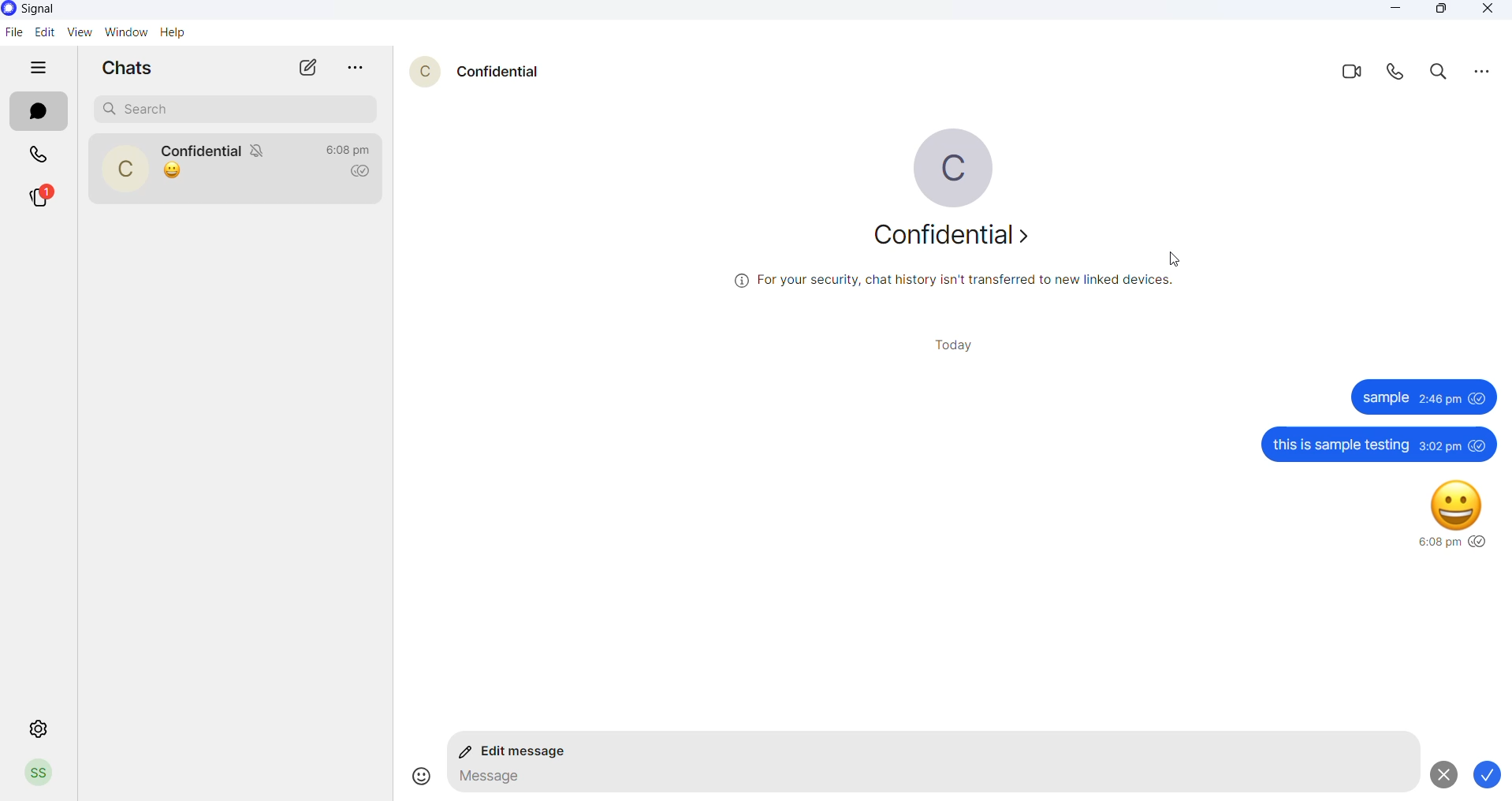 The width and height of the screenshot is (1512, 801). What do you see at coordinates (1458, 502) in the screenshot?
I see `smiley emoji` at bounding box center [1458, 502].